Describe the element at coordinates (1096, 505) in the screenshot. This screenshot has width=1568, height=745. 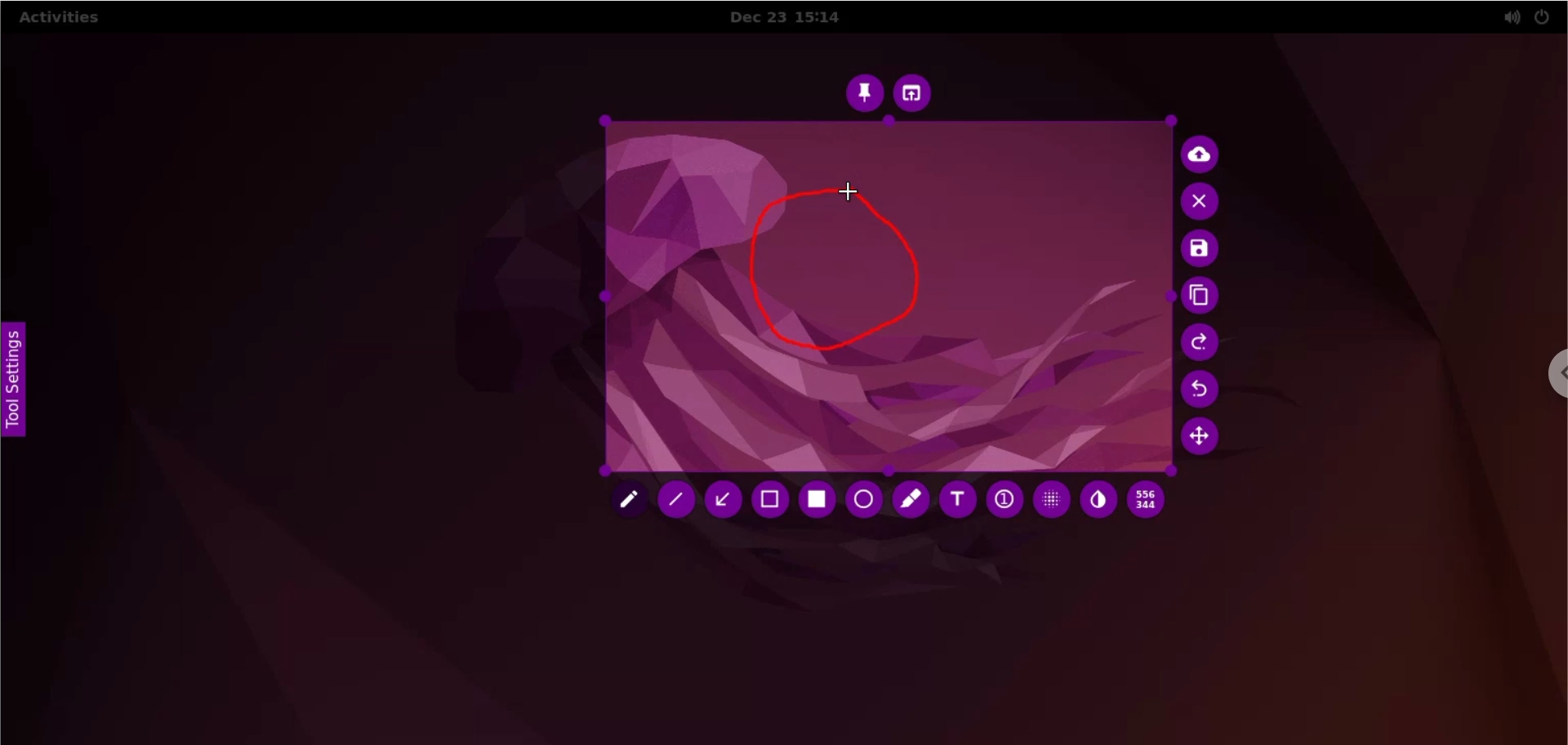
I see `inverter tool` at that location.